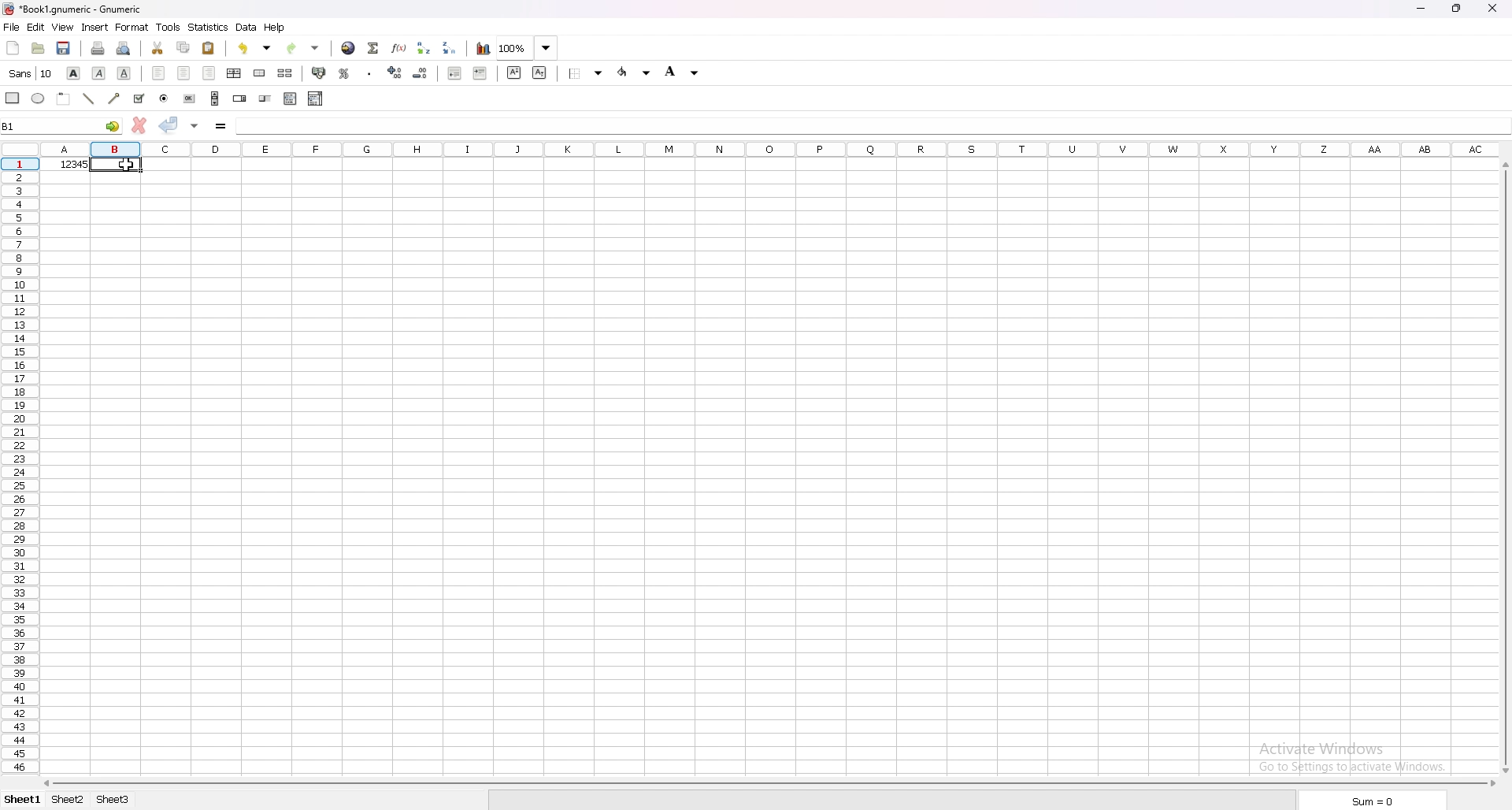  I want to click on insert, so click(95, 28).